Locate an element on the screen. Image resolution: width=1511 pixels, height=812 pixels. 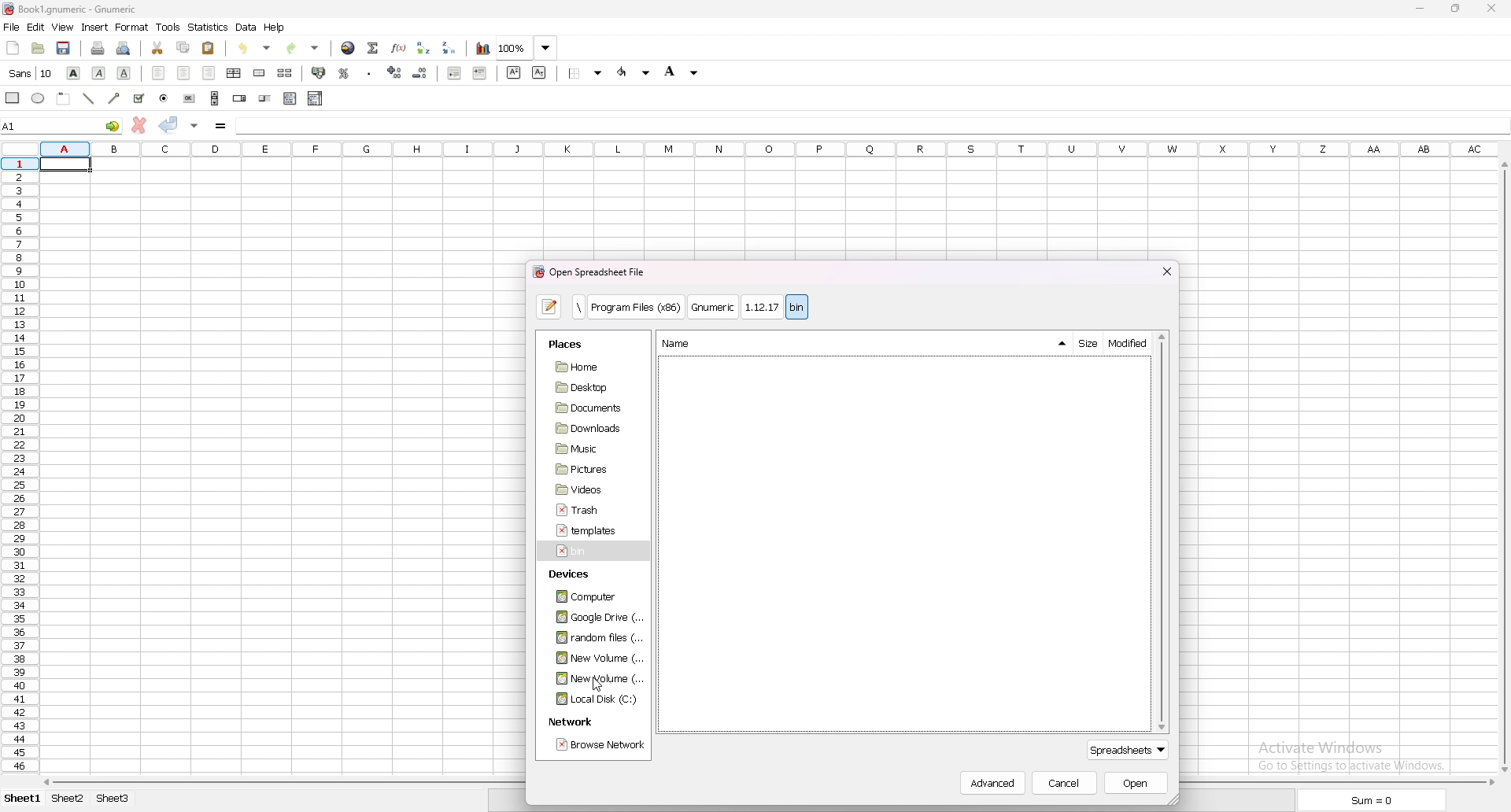
statistics is located at coordinates (209, 27).